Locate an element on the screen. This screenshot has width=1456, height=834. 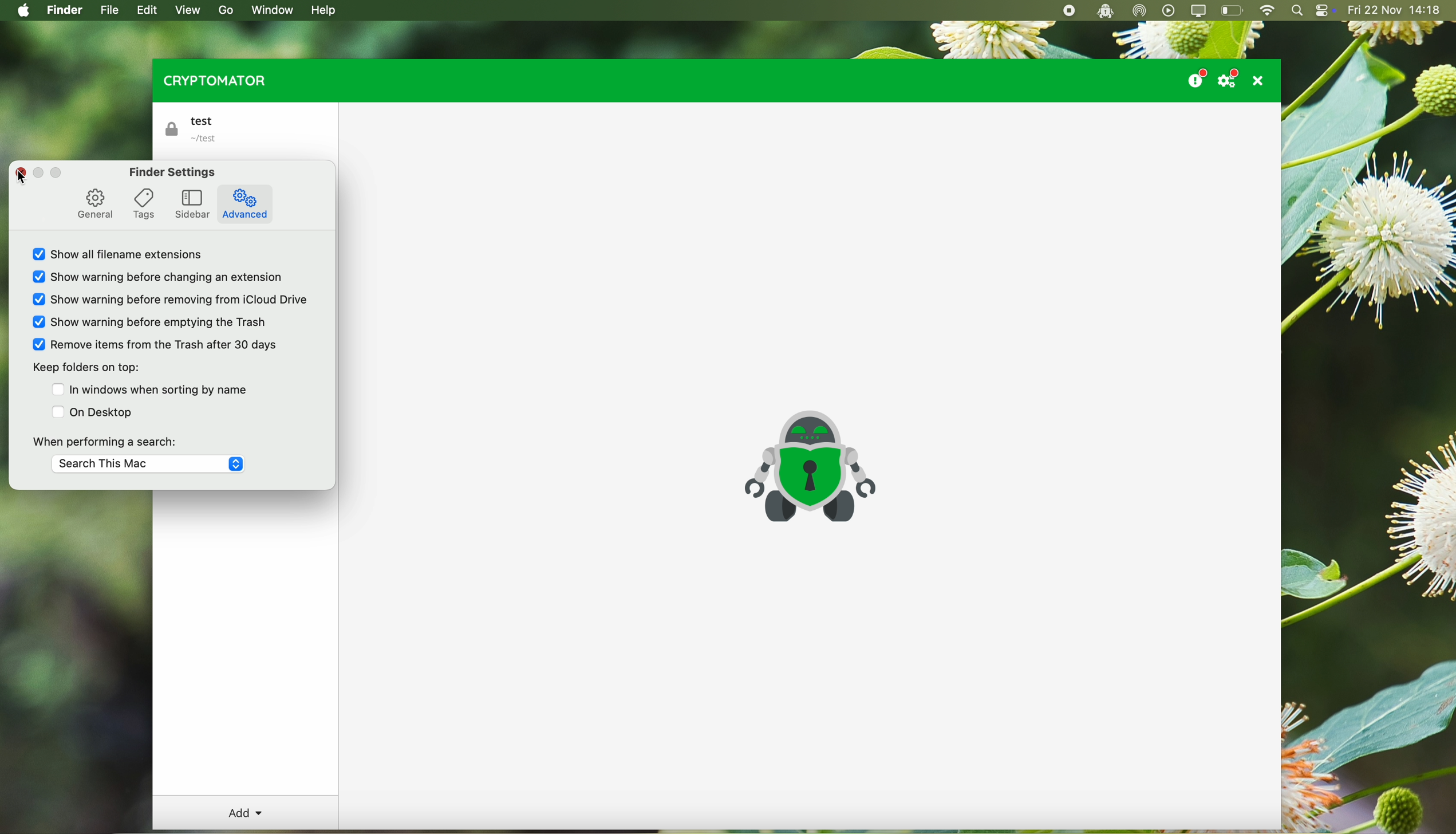
wifi is located at coordinates (1266, 11).